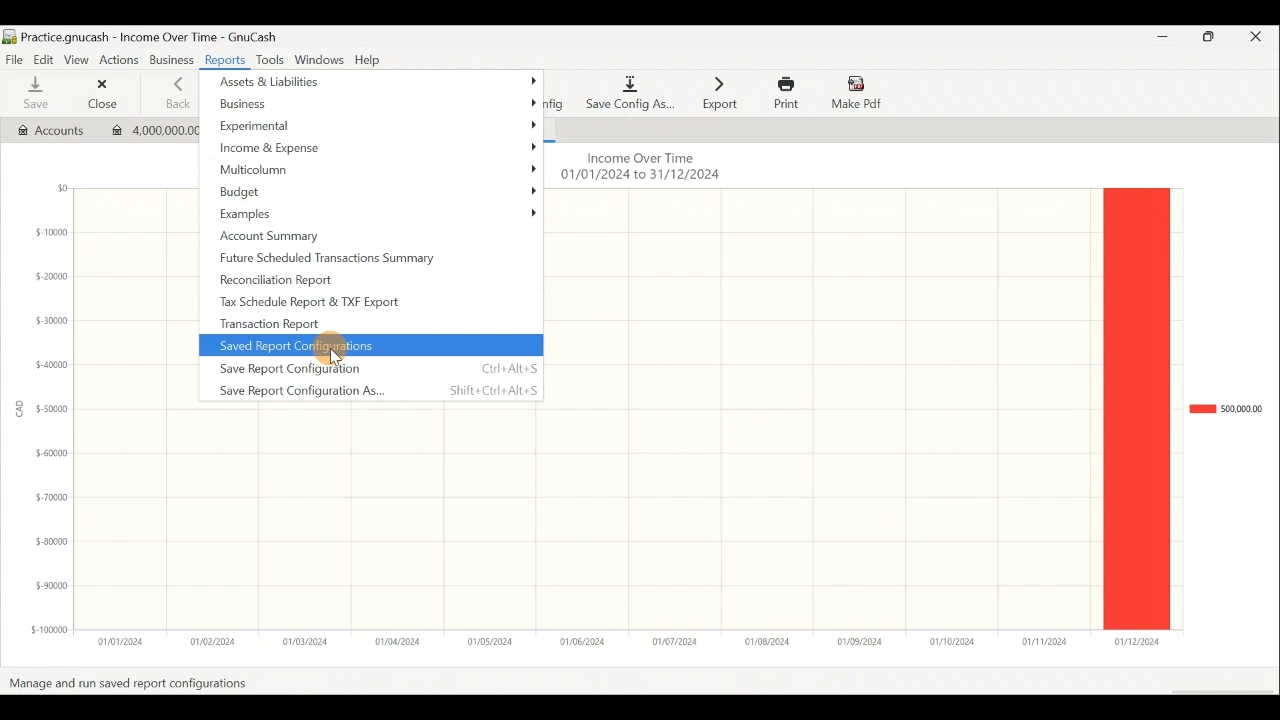  I want to click on Transaction report, so click(274, 324).